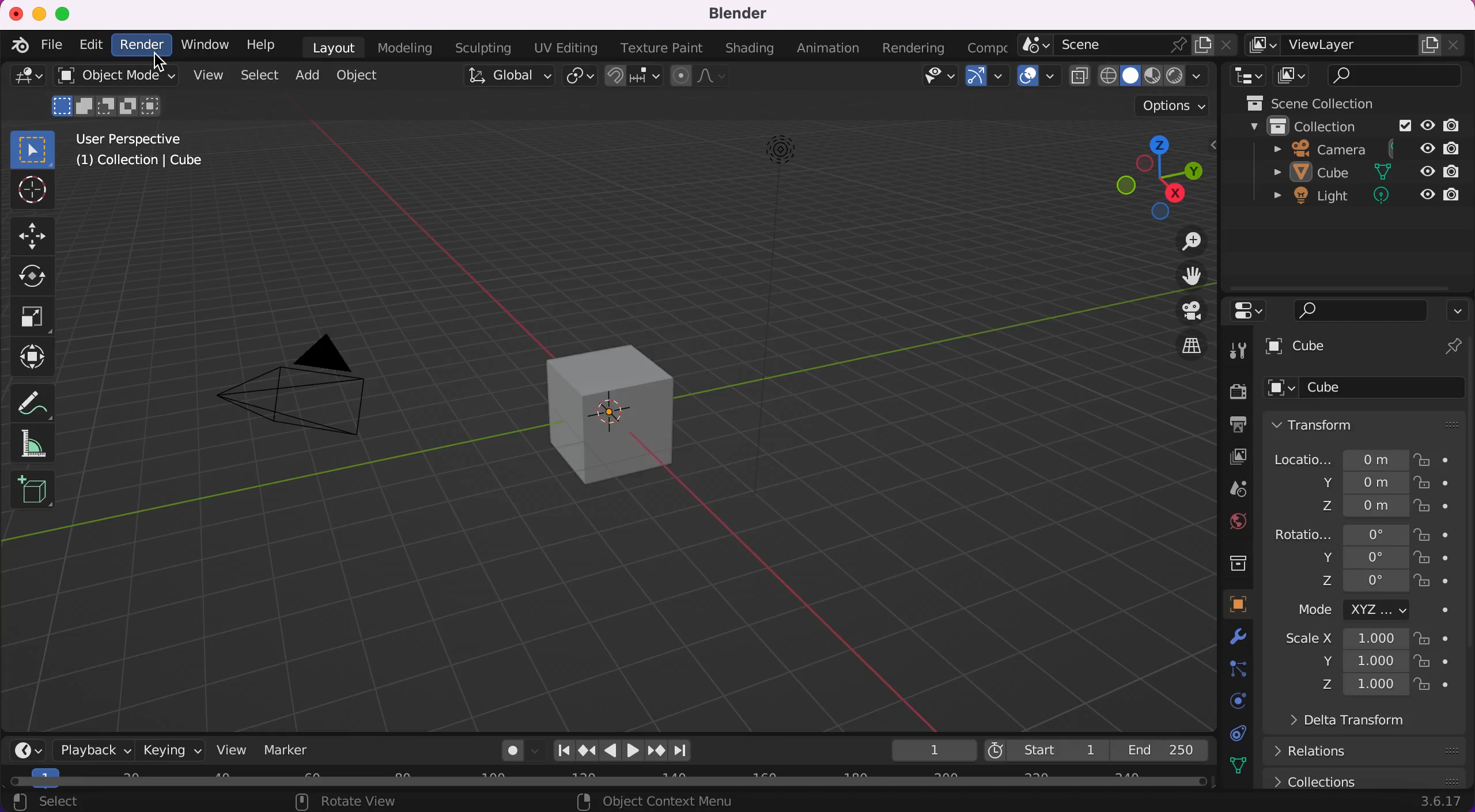 This screenshot has height=812, width=1475. What do you see at coordinates (928, 749) in the screenshot?
I see `1` at bounding box center [928, 749].